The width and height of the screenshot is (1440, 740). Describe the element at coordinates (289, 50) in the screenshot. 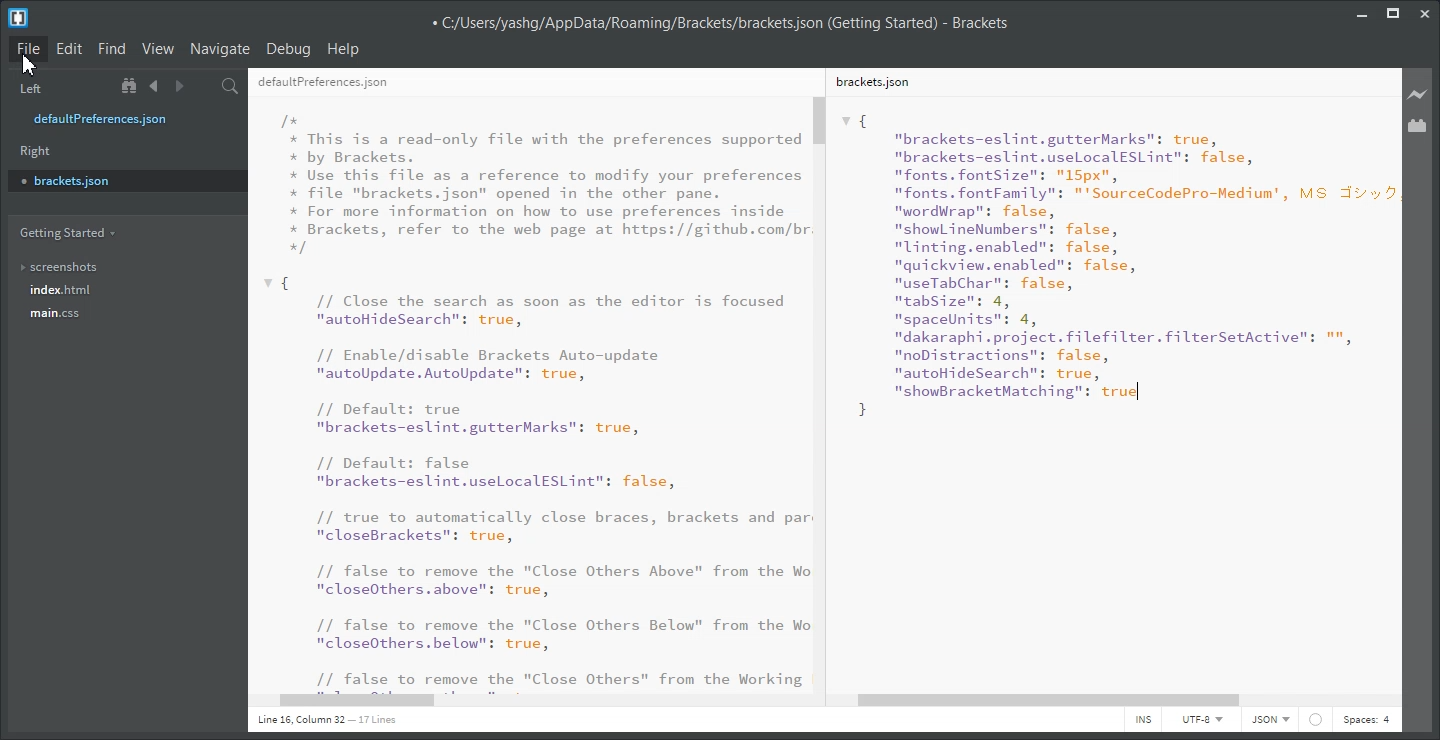

I see `Debug` at that location.